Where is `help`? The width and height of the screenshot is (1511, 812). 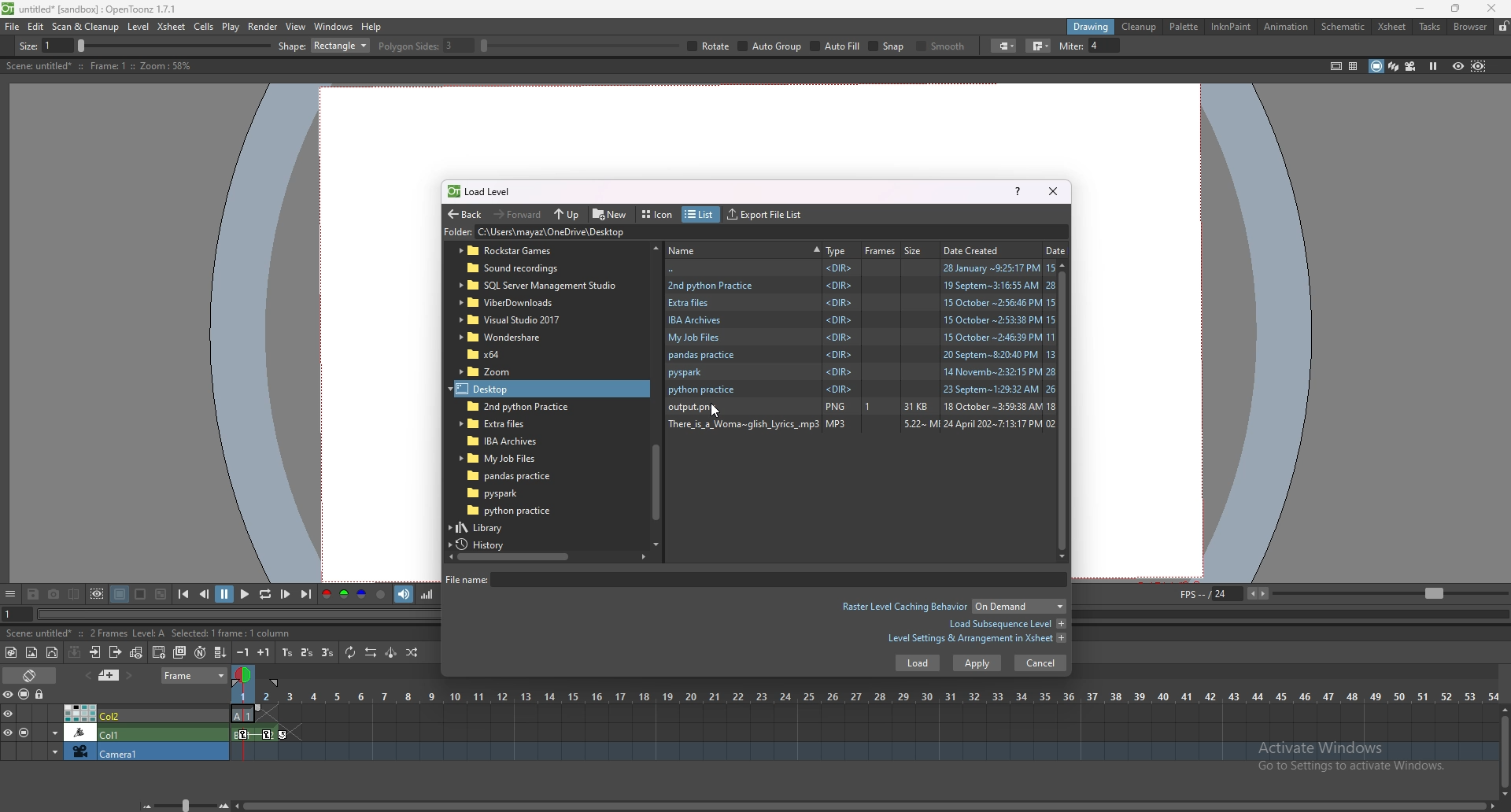 help is located at coordinates (1018, 190).